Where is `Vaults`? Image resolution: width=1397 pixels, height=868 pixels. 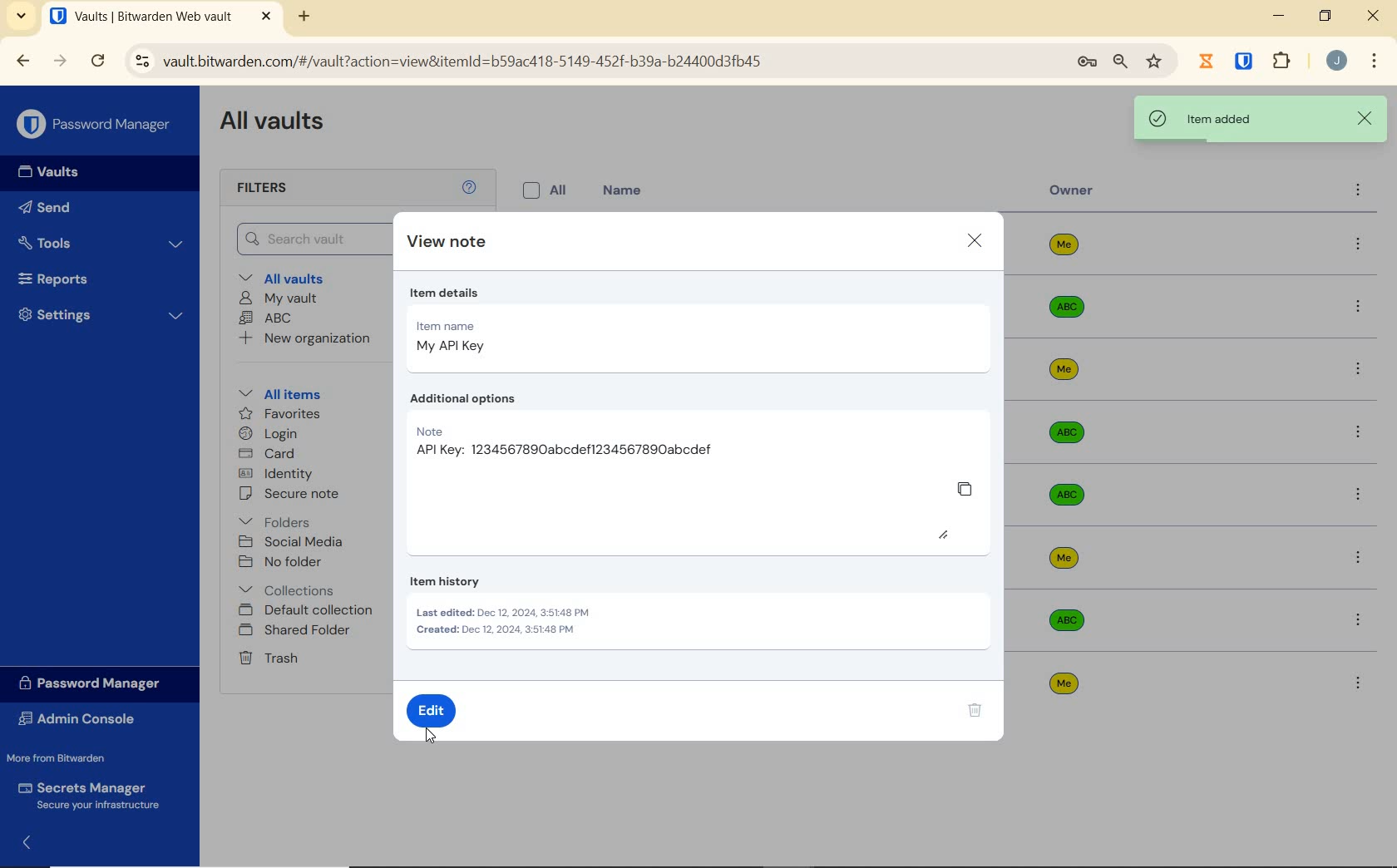
Vaults is located at coordinates (57, 174).